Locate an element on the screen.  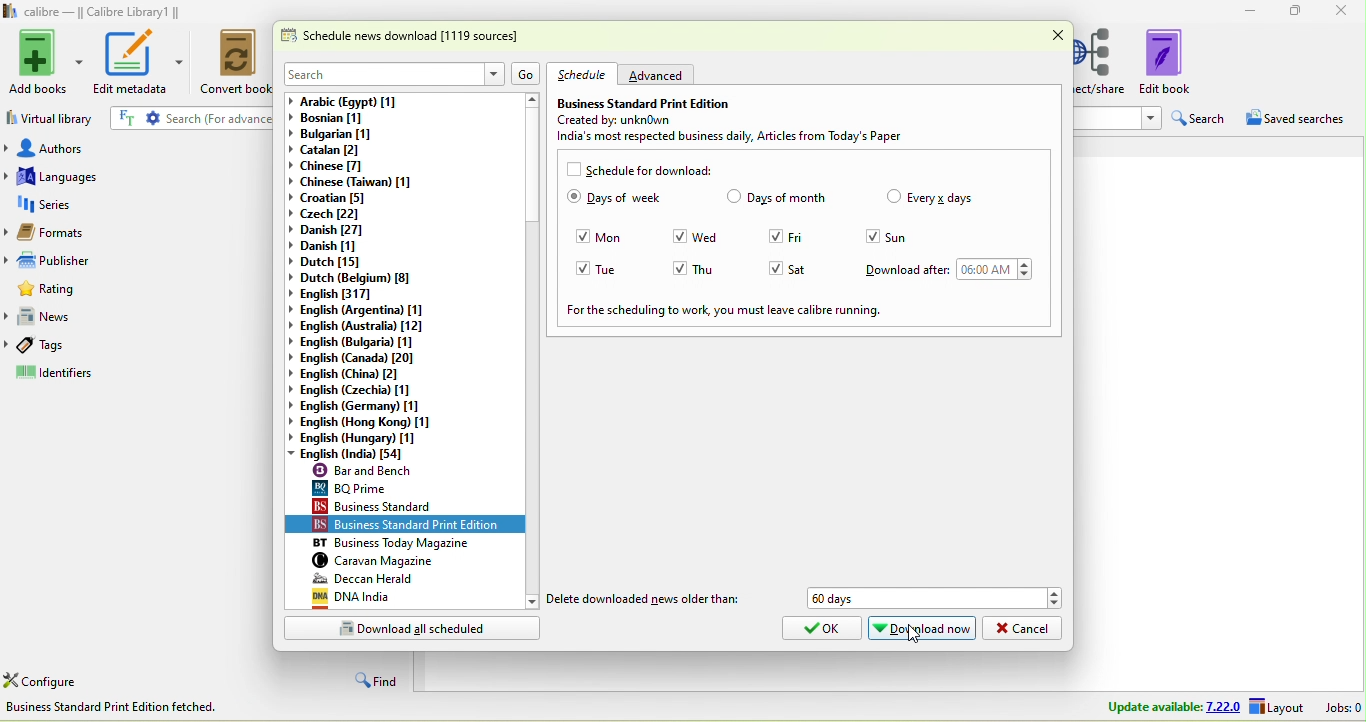
czech[22] is located at coordinates (332, 213).